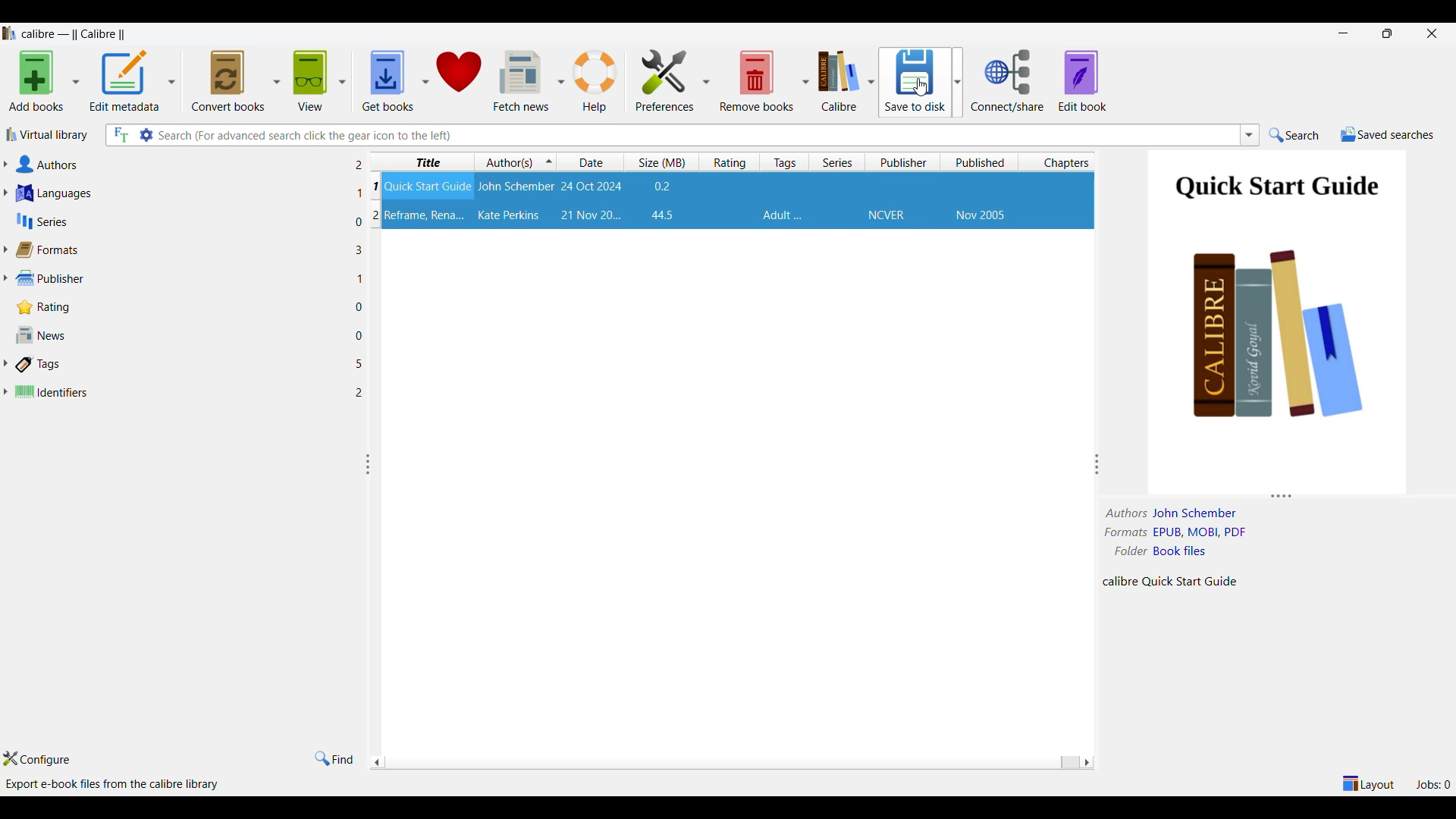 This screenshot has height=819, width=1456. What do you see at coordinates (169, 221) in the screenshot?
I see `Series` at bounding box center [169, 221].